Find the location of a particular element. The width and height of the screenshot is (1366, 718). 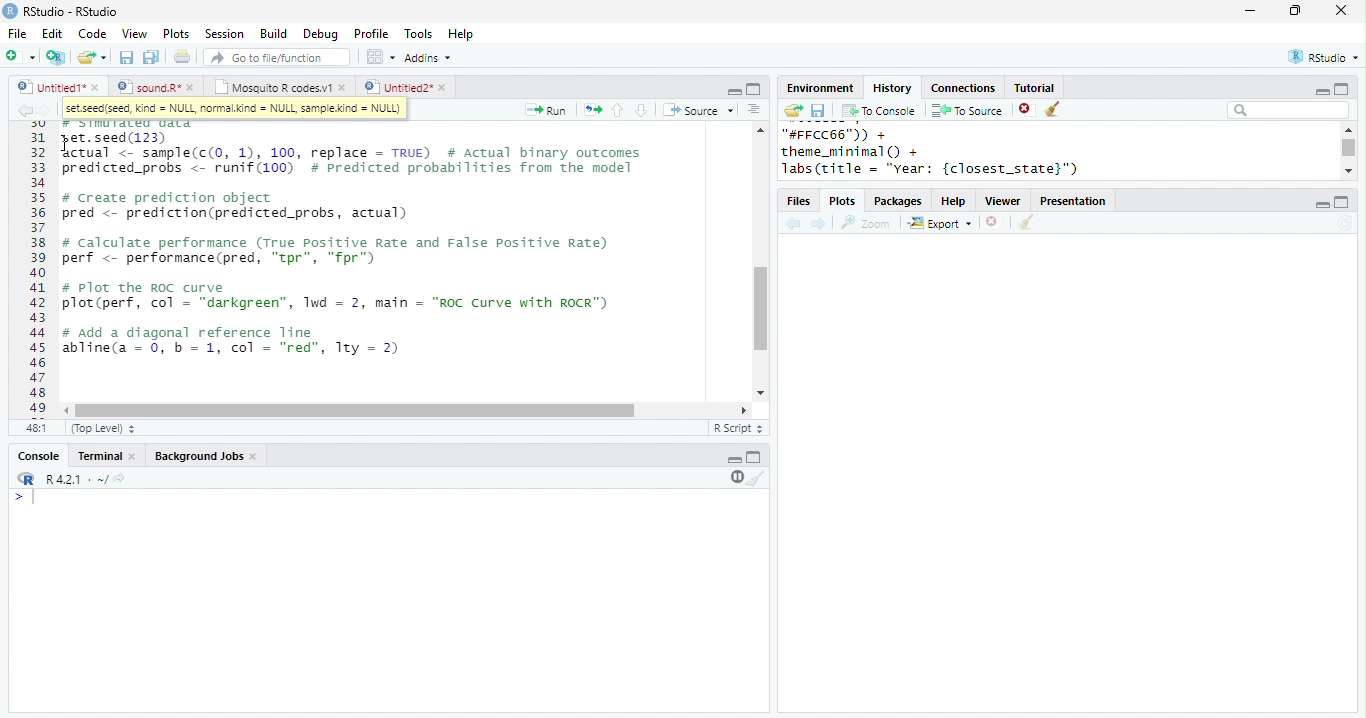

options is located at coordinates (754, 109).